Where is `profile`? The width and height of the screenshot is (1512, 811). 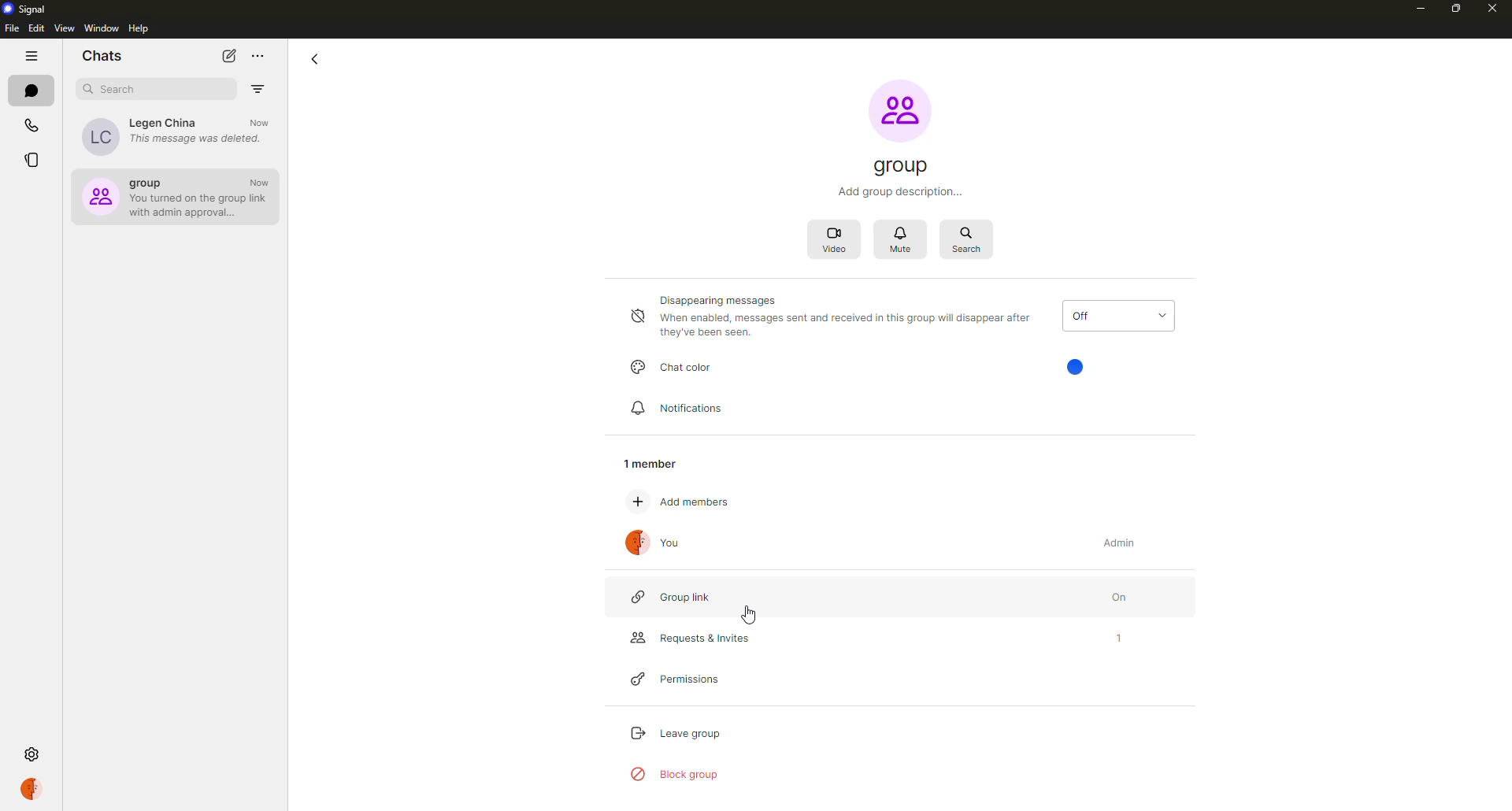 profile is located at coordinates (34, 788).